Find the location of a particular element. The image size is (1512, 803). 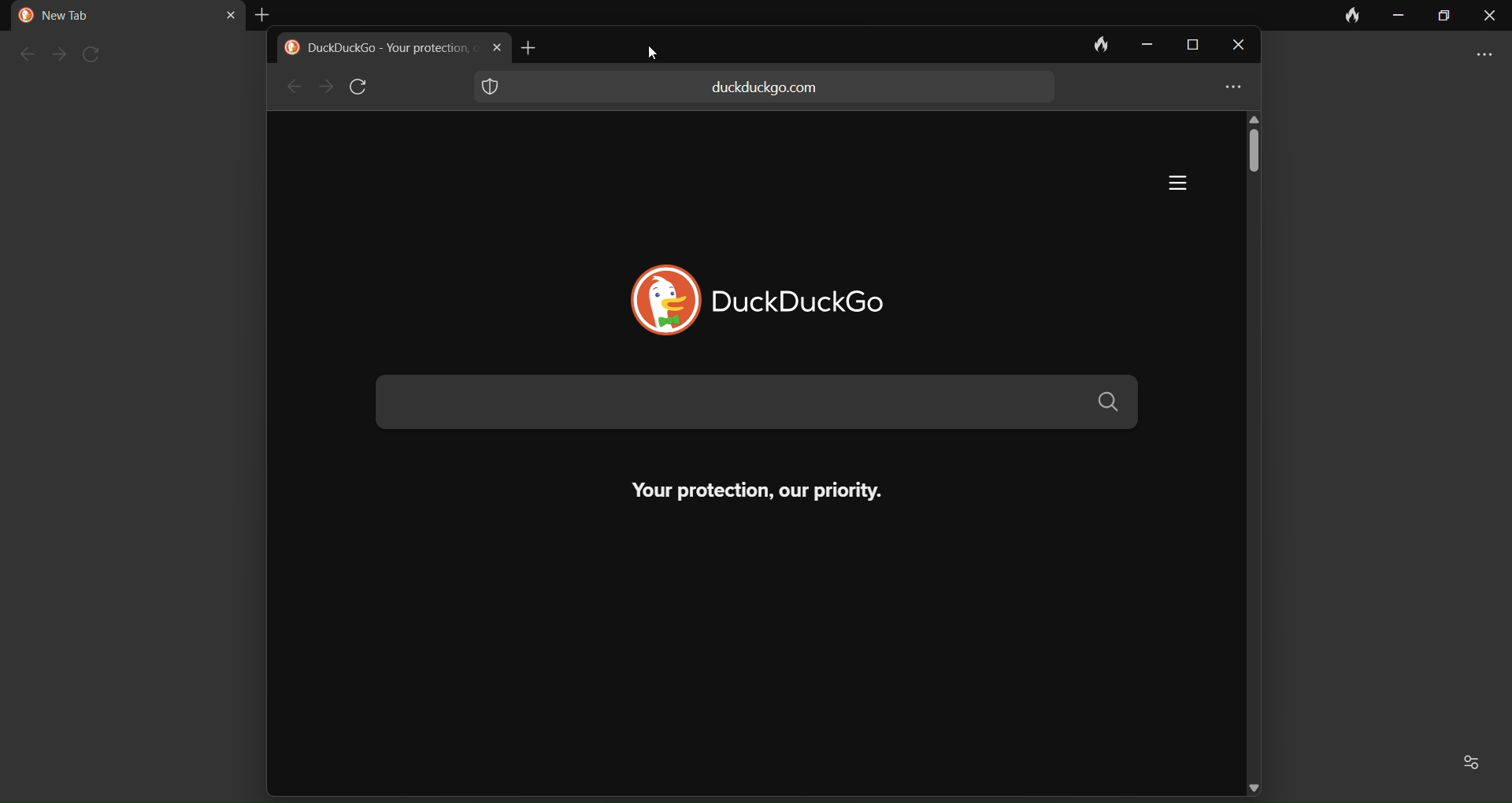

Close is located at coordinates (1240, 47).